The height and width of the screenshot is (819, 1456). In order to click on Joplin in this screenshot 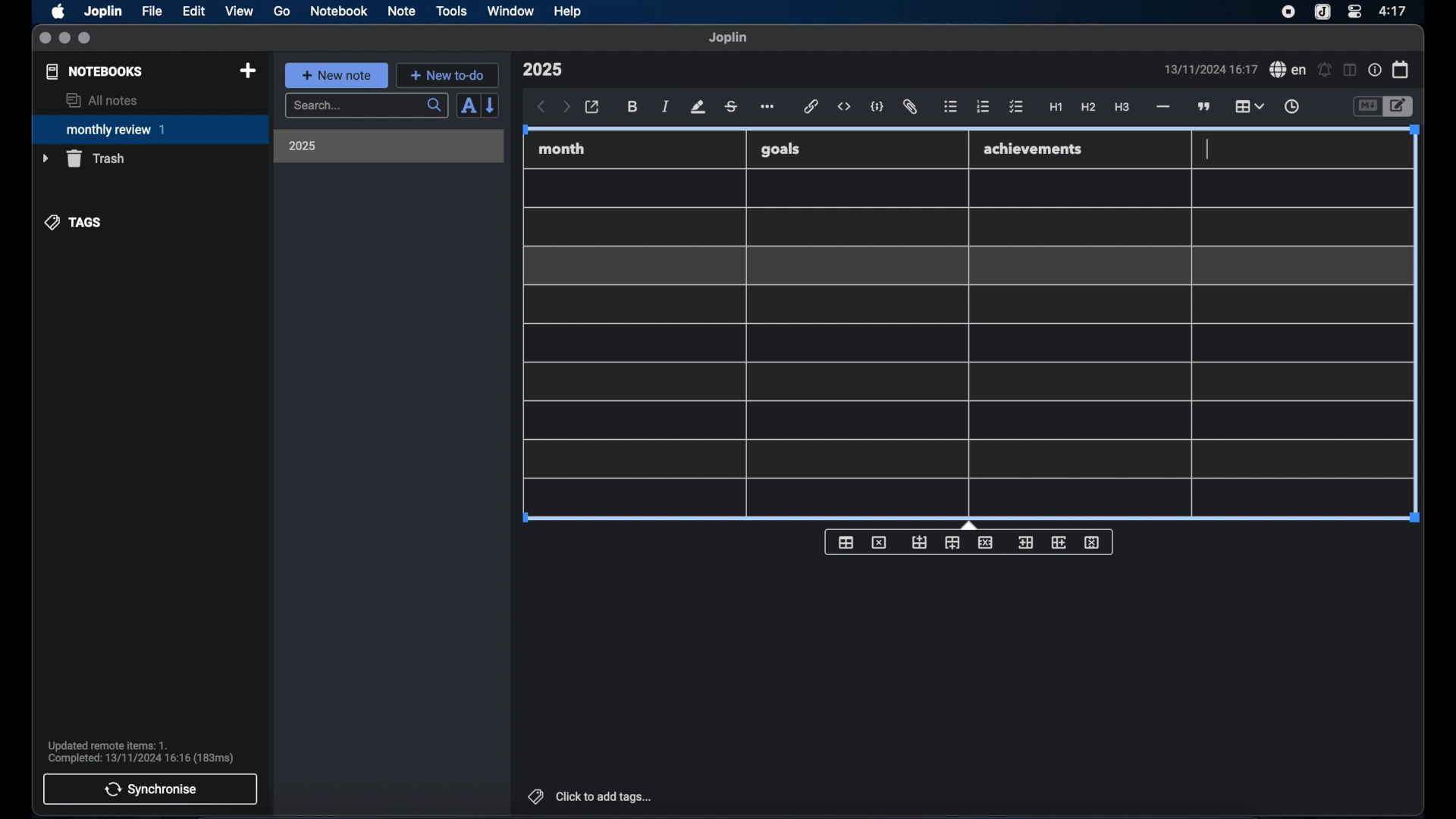, I will do `click(105, 12)`.